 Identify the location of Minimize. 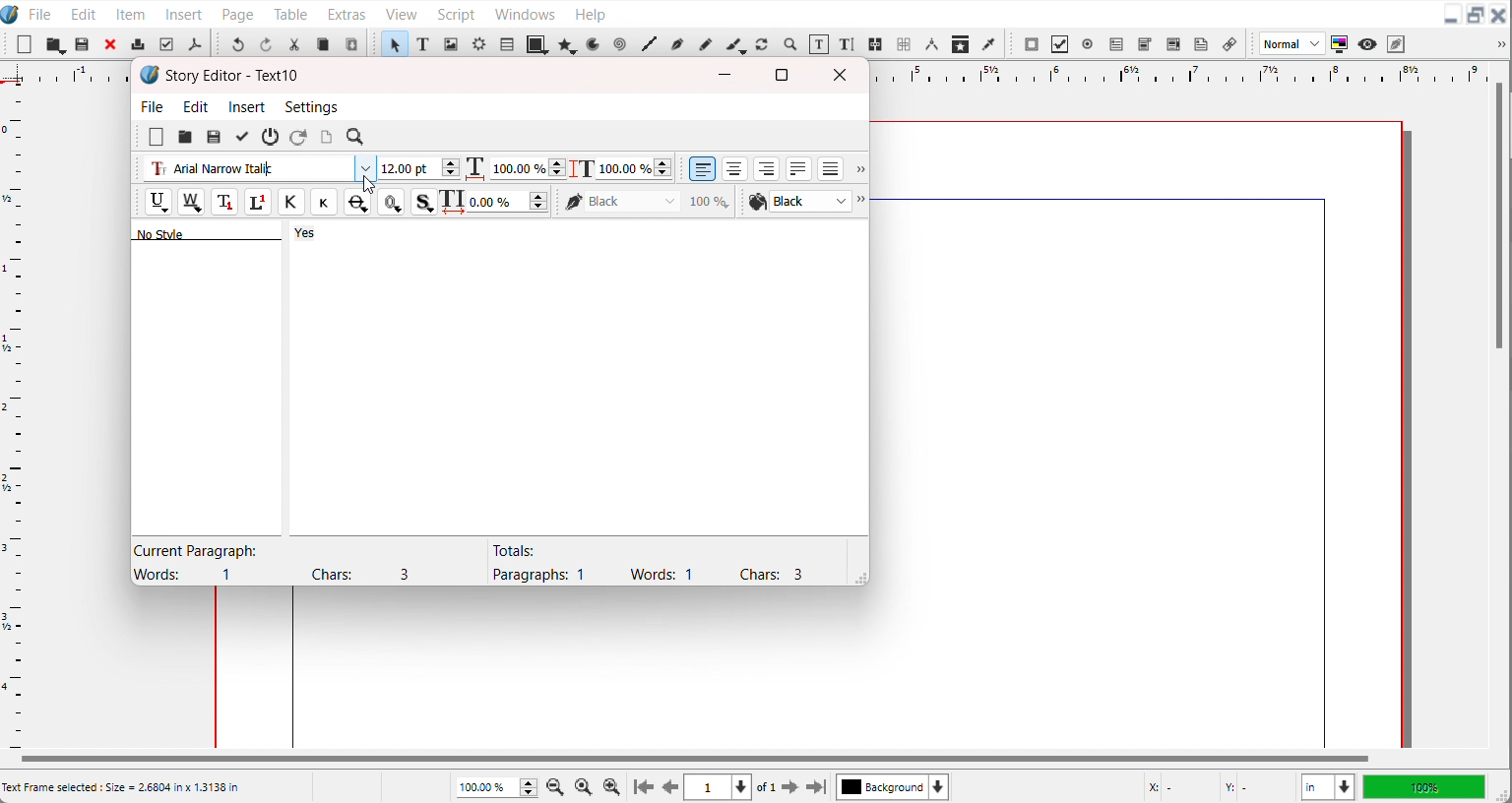
(1451, 16).